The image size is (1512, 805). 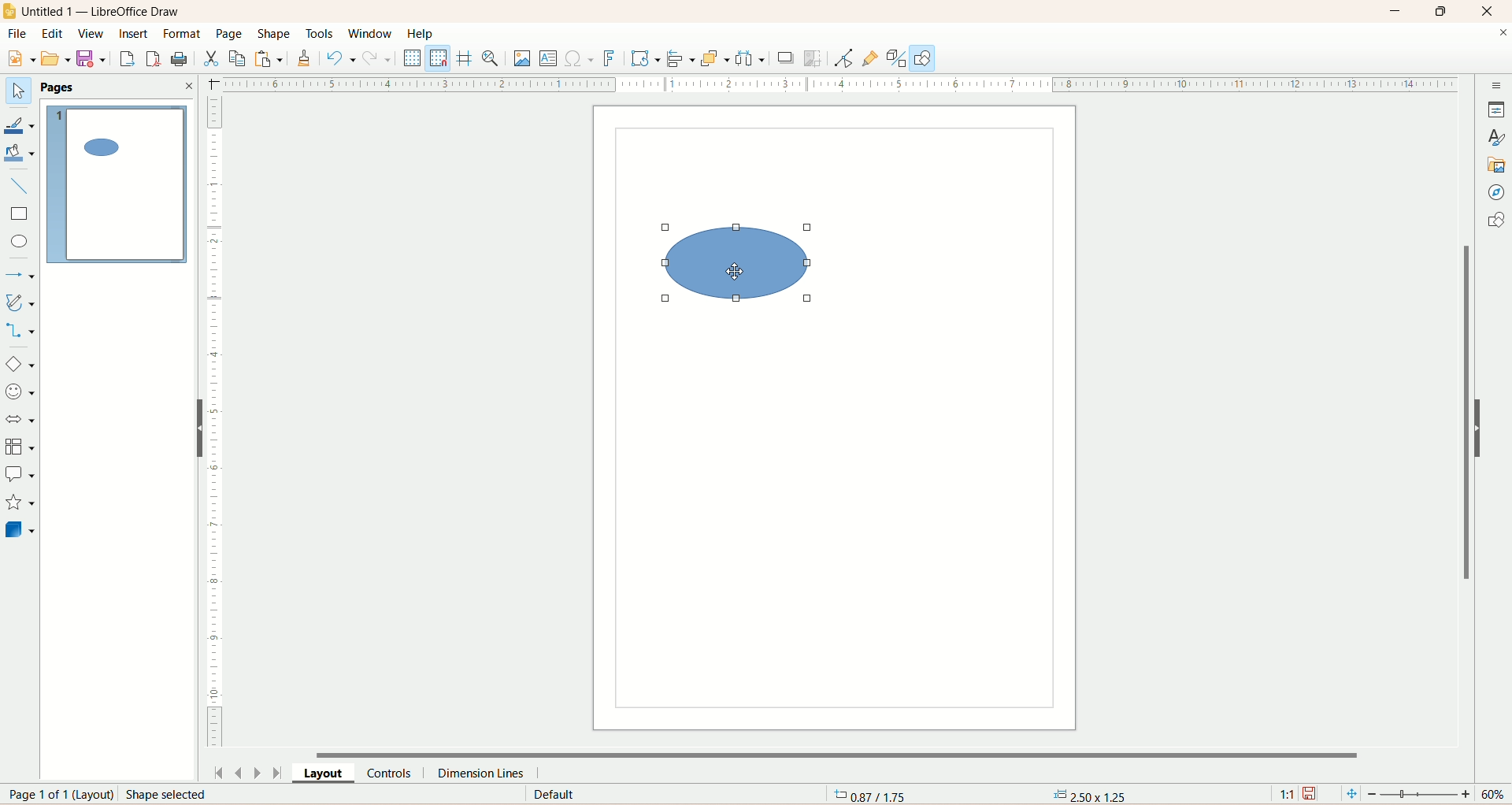 What do you see at coordinates (413, 58) in the screenshot?
I see `display grid` at bounding box center [413, 58].